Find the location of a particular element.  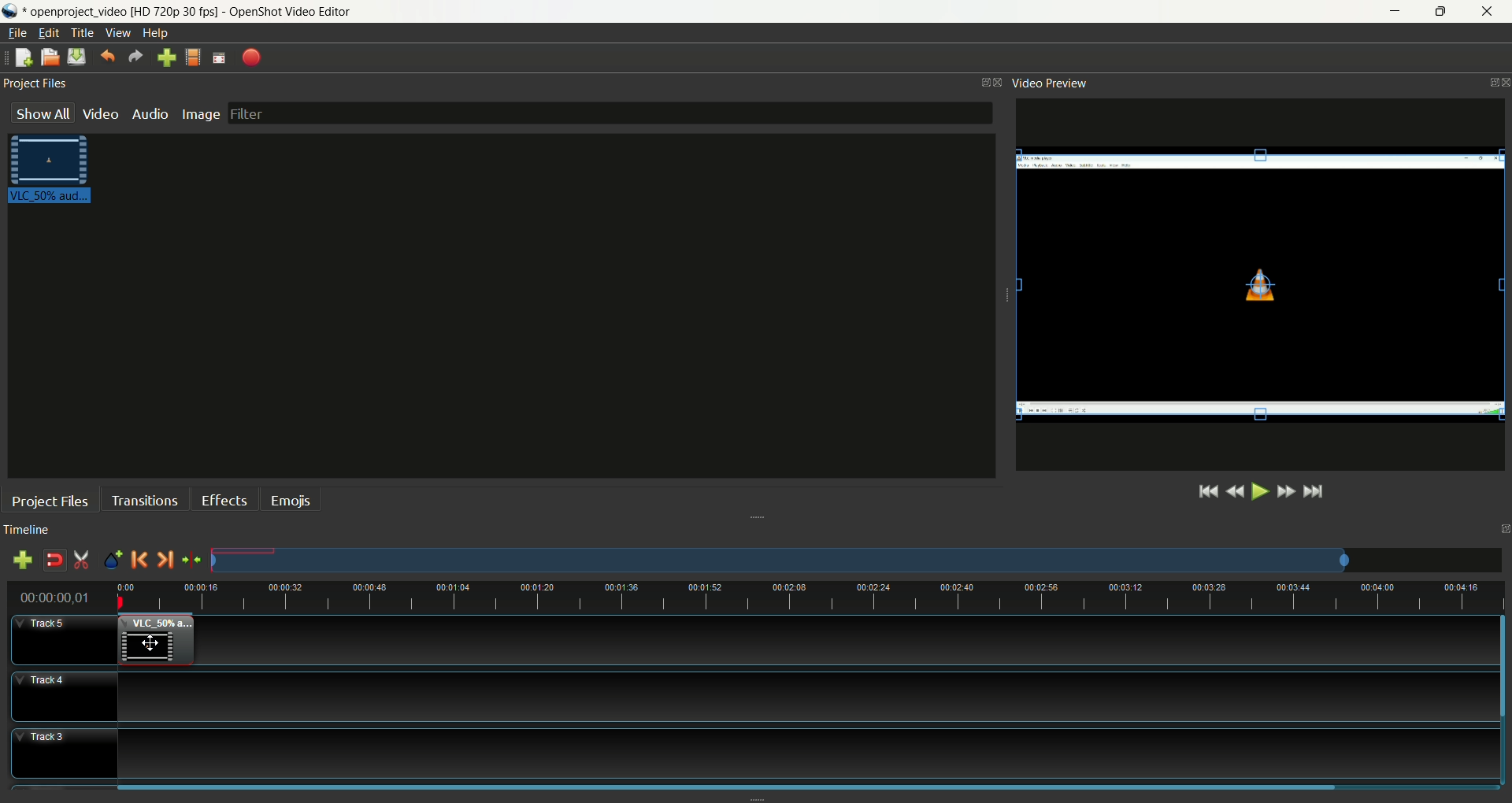

video clip is located at coordinates (159, 642).